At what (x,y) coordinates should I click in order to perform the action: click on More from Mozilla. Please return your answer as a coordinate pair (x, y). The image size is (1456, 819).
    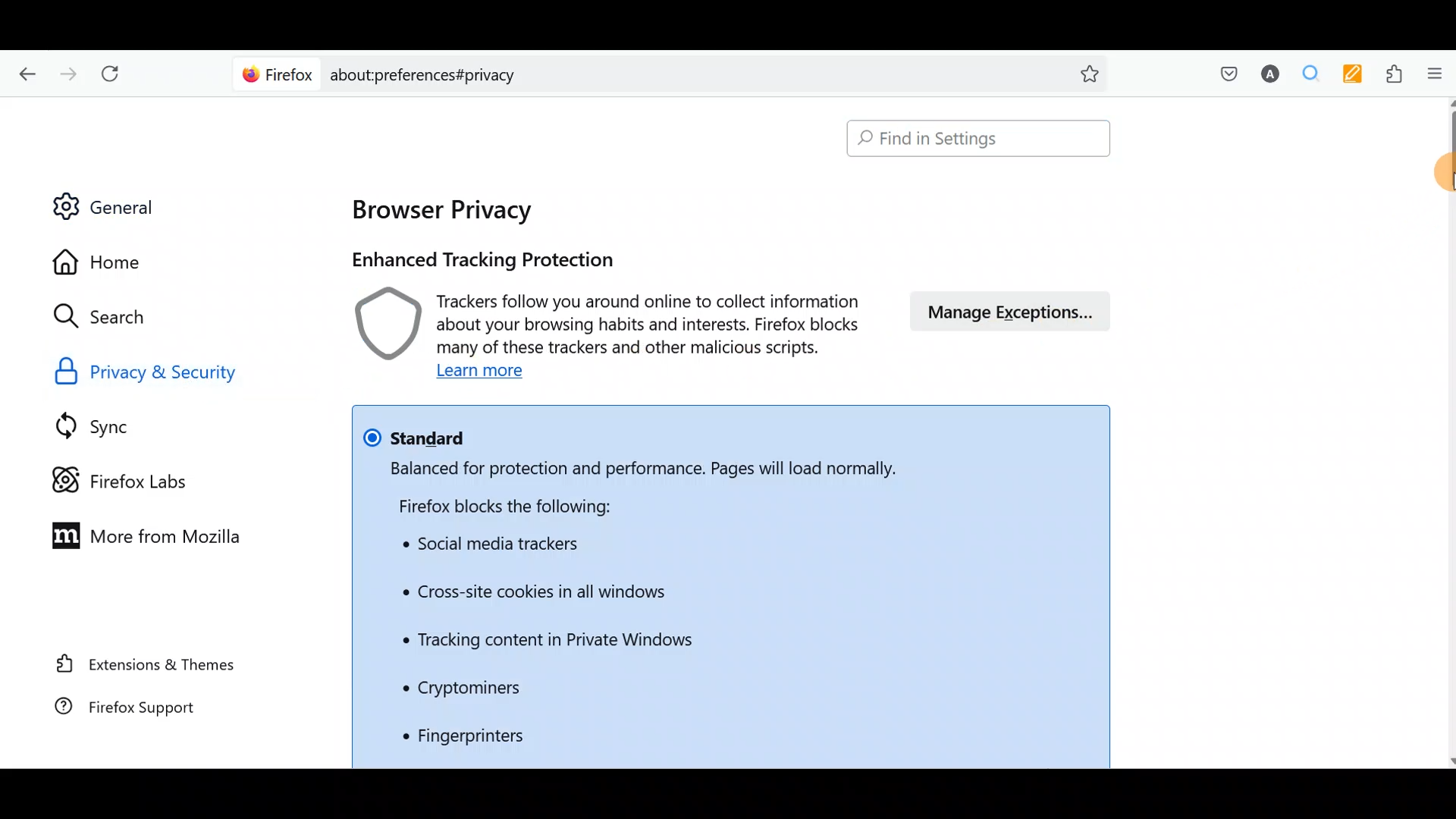
    Looking at the image, I should click on (139, 534).